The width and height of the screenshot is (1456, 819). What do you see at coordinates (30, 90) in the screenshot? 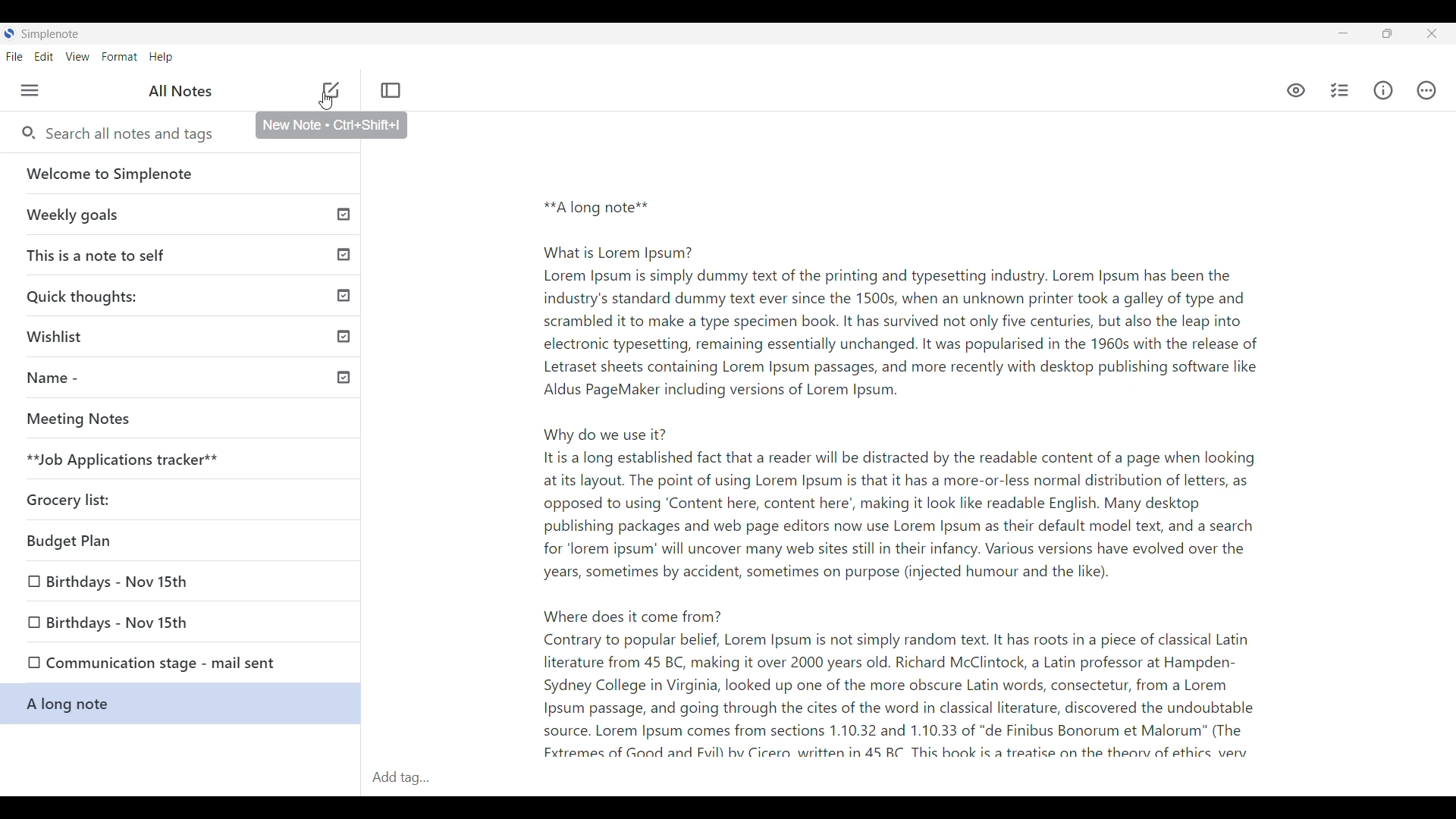
I see `Menu` at bounding box center [30, 90].